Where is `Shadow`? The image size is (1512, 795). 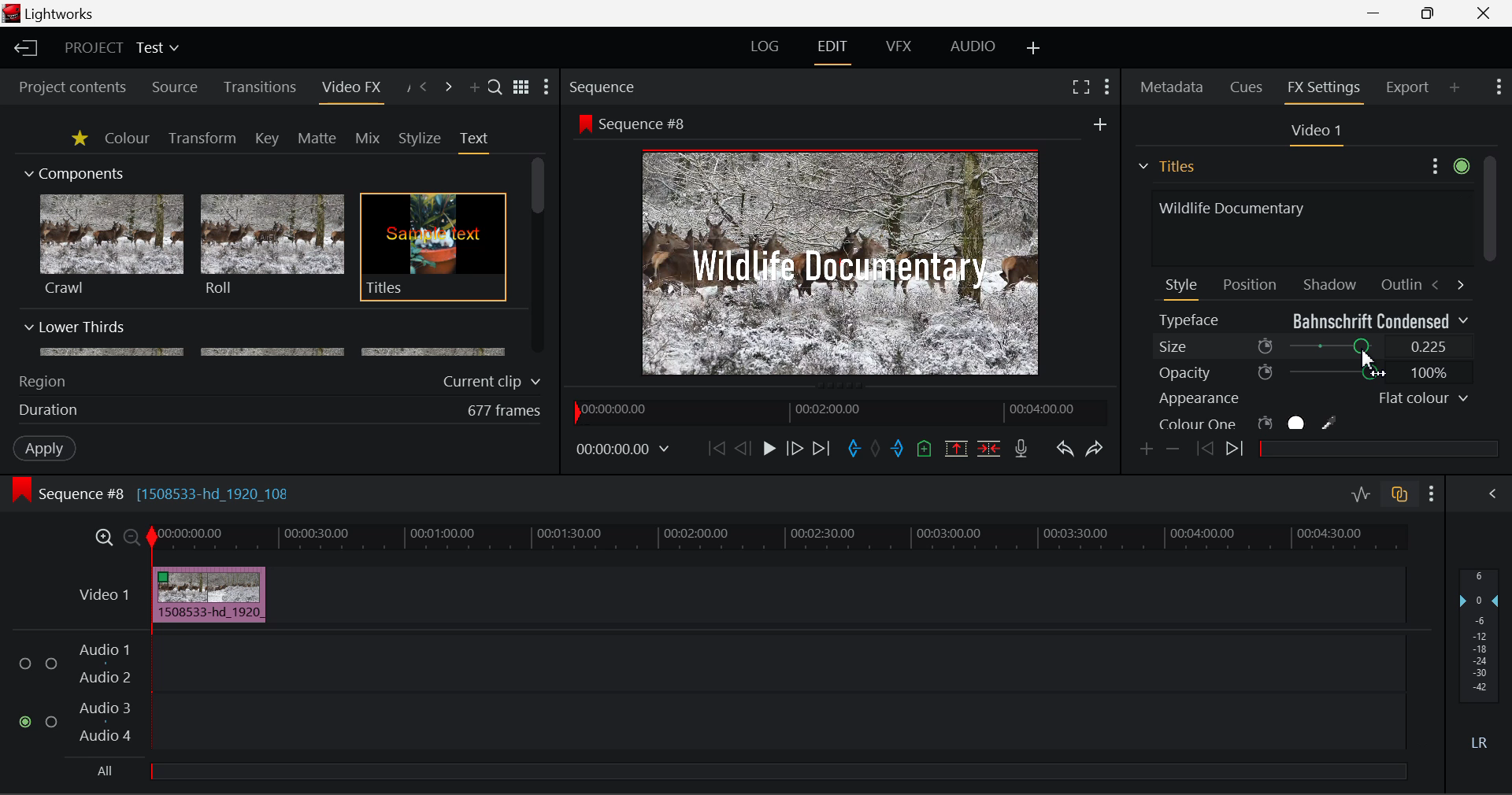
Shadow is located at coordinates (1331, 281).